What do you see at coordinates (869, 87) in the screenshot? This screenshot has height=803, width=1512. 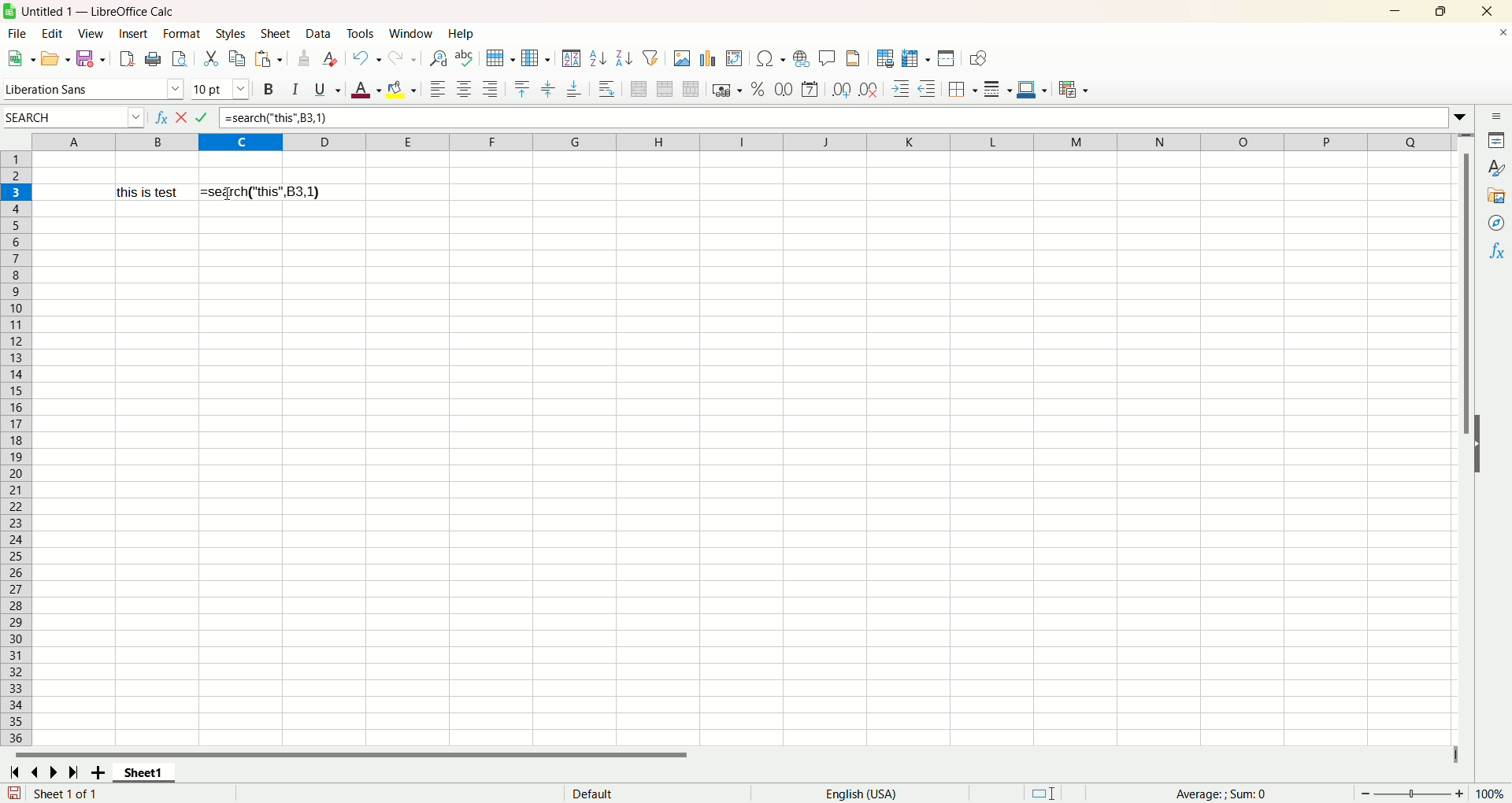 I see `remove decimal places` at bounding box center [869, 87].